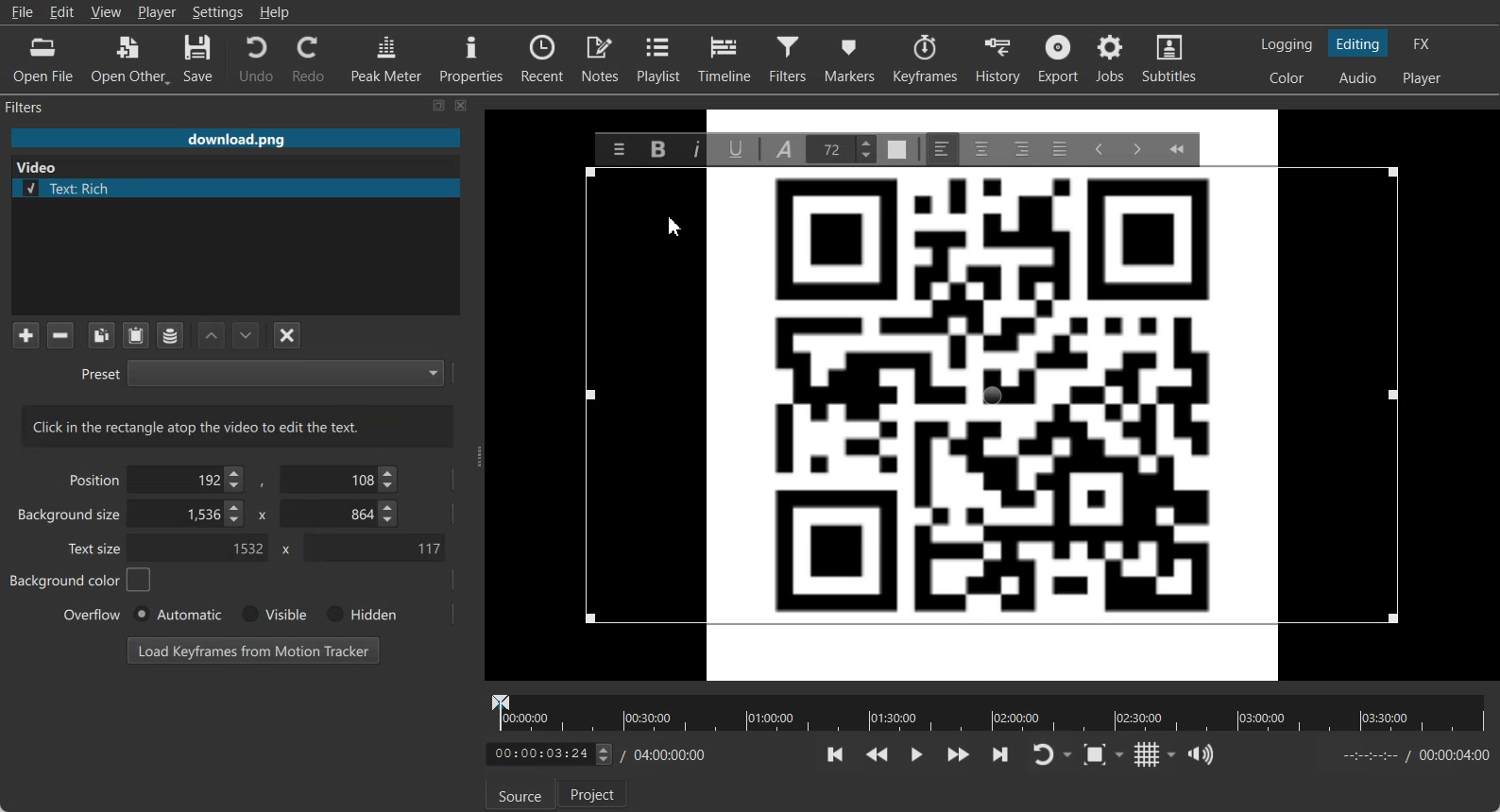  Describe the element at coordinates (1099, 149) in the screenshot. I see `Decrease Indent` at that location.